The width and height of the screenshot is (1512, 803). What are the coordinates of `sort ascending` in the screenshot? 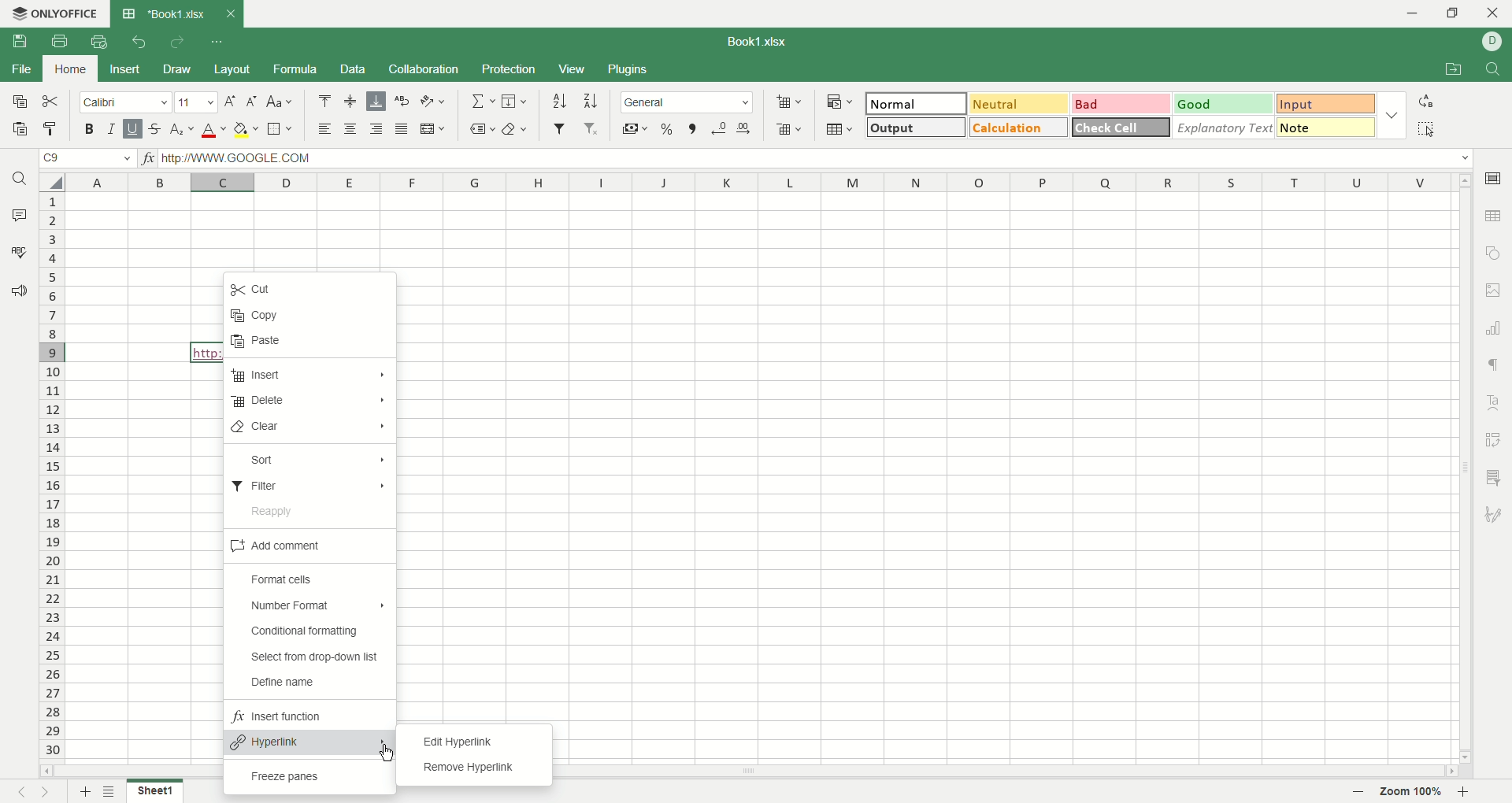 It's located at (559, 100).